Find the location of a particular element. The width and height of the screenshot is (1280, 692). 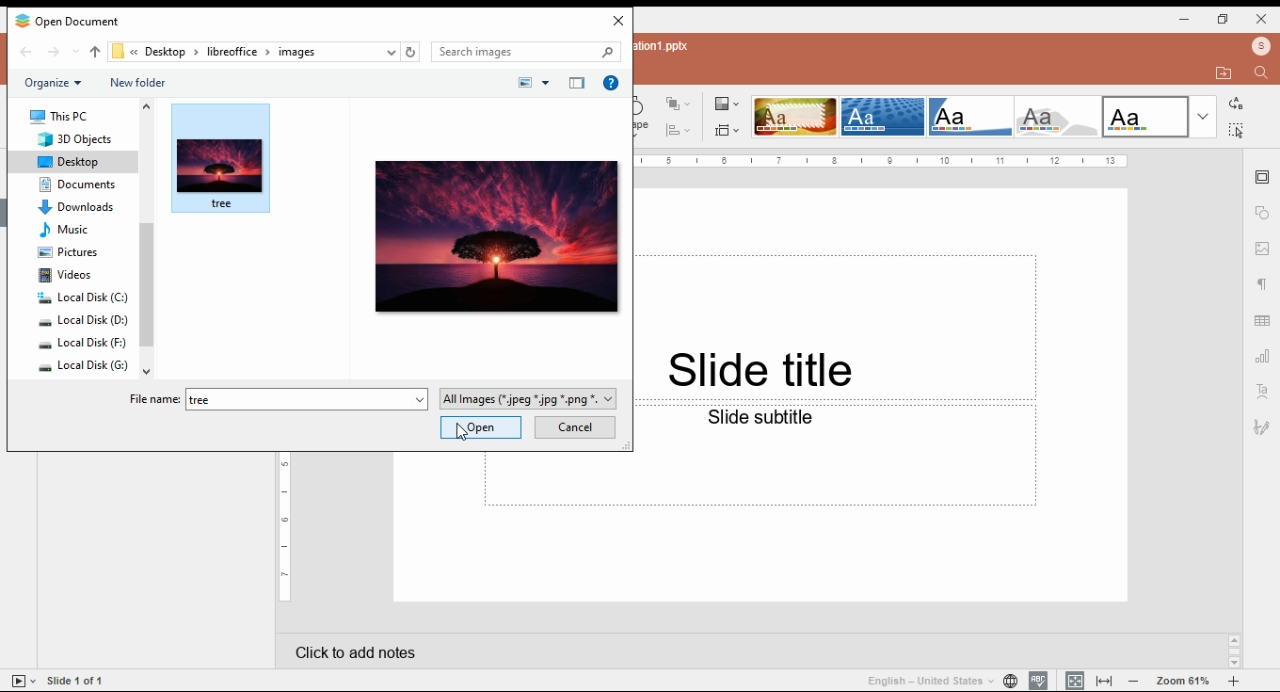

theme 5 is located at coordinates (1145, 117).